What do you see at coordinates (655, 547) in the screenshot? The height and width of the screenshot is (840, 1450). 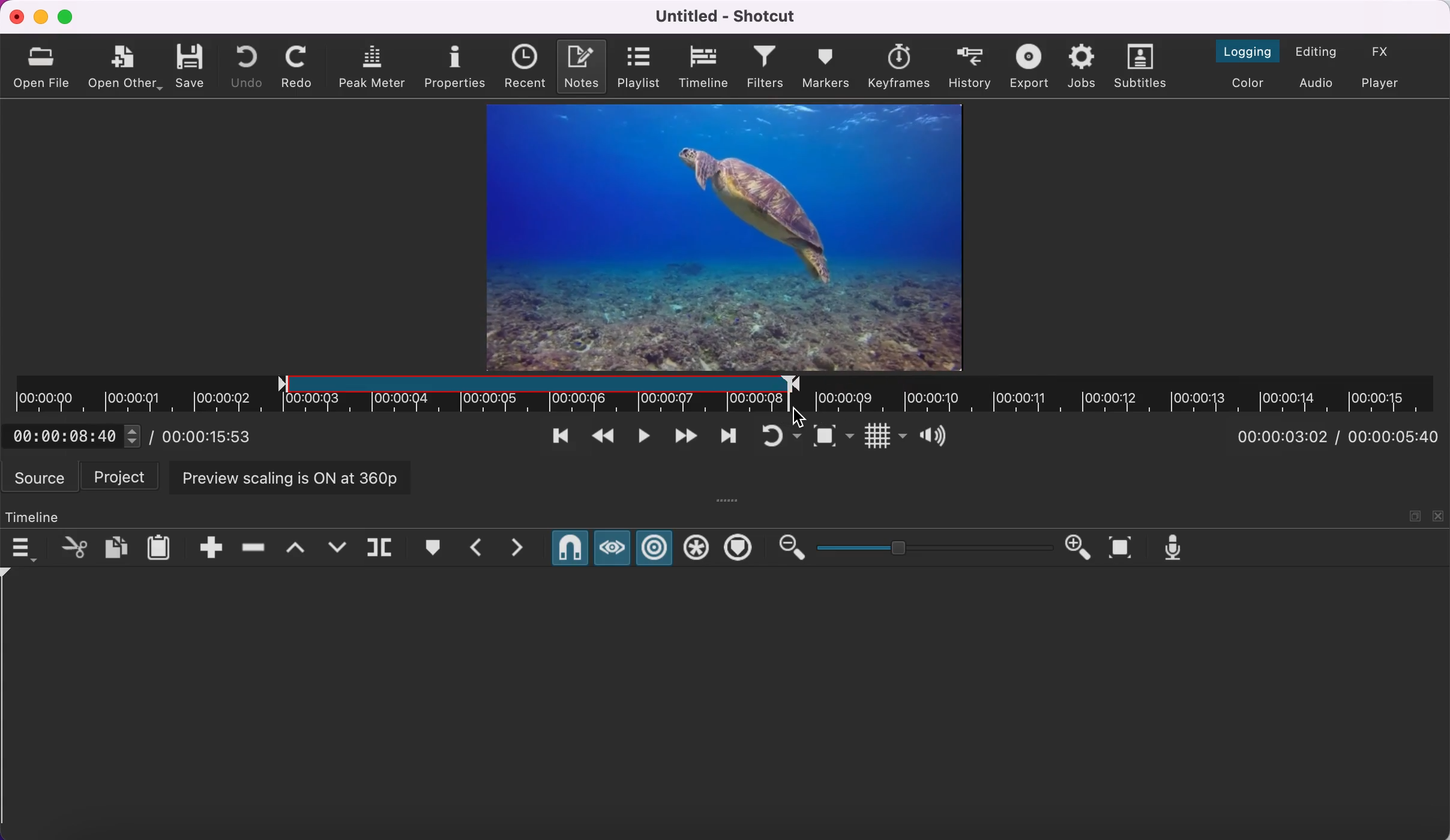 I see `ripple` at bounding box center [655, 547].